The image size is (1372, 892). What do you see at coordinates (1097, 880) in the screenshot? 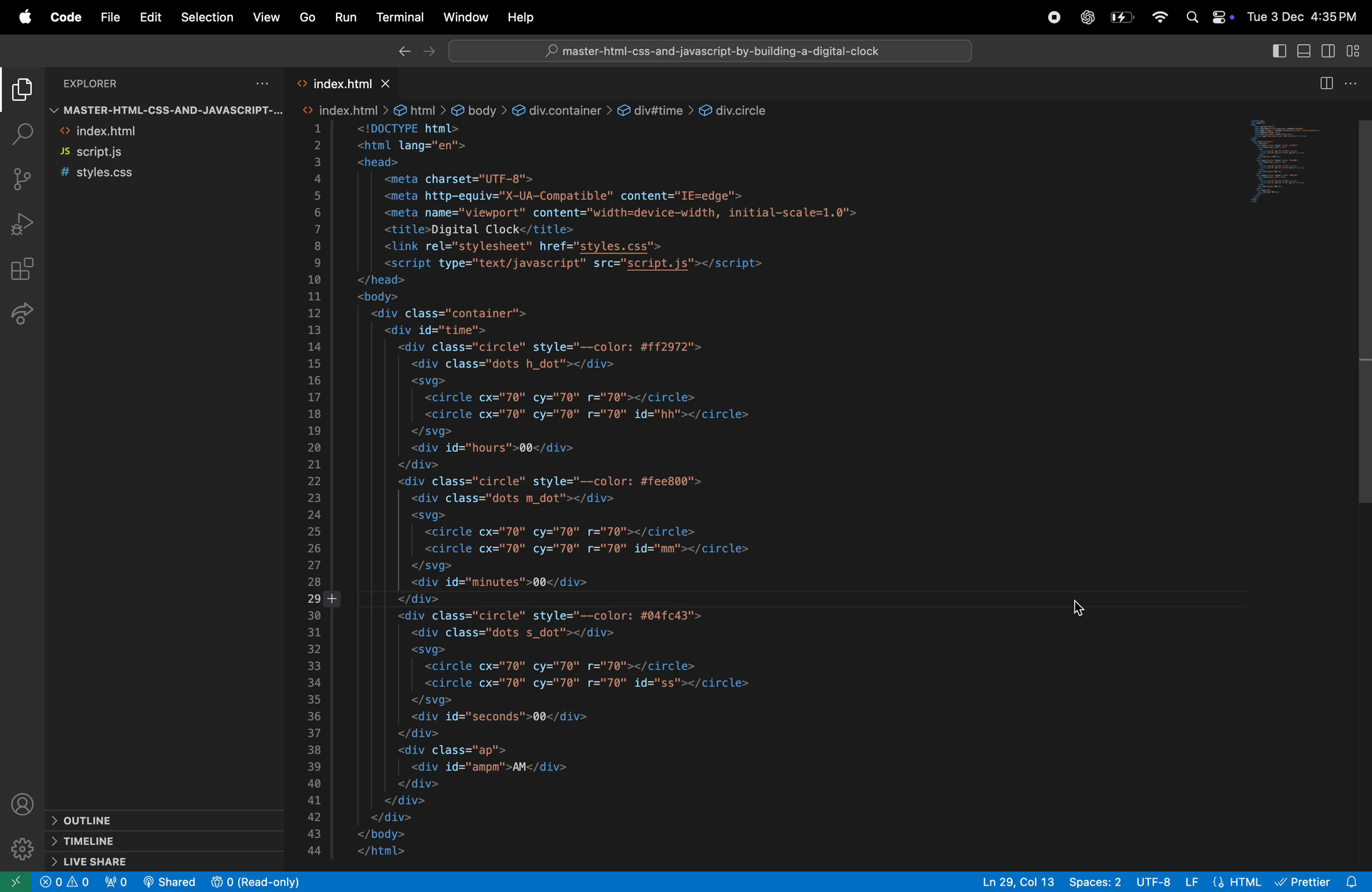
I see `space 2` at bounding box center [1097, 880].